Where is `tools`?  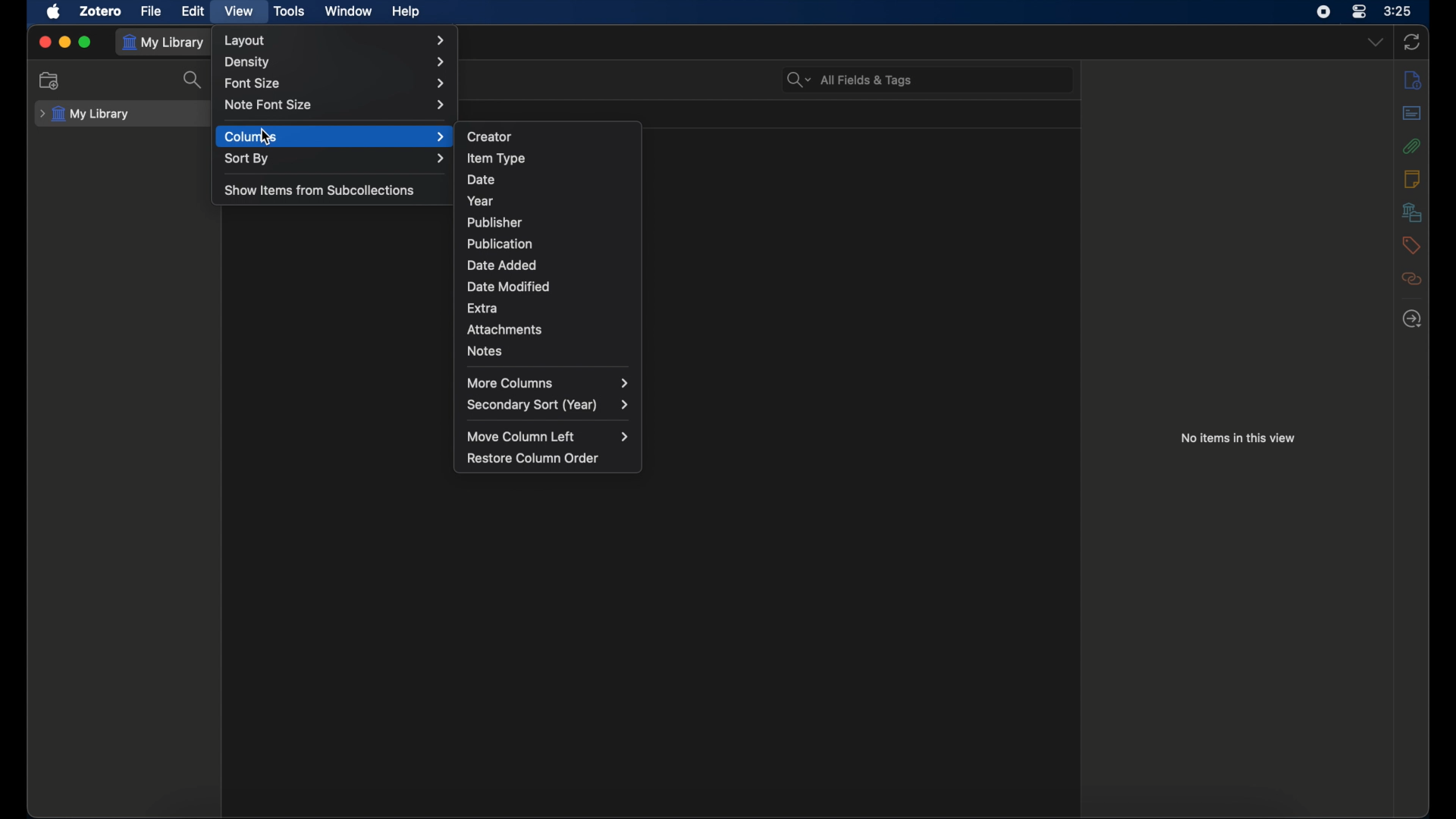 tools is located at coordinates (290, 11).